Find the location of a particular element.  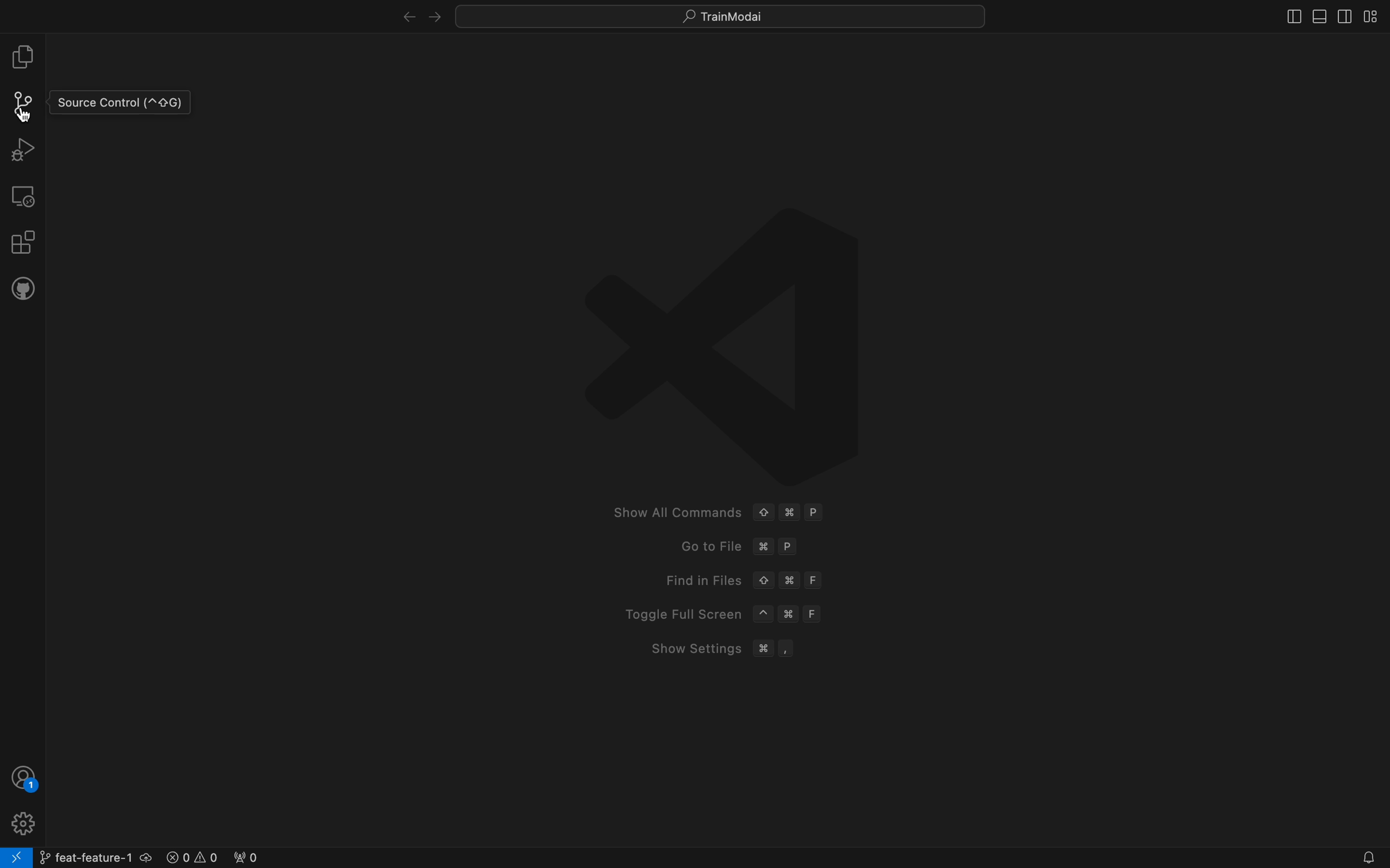

remote connect is located at coordinates (16, 858).